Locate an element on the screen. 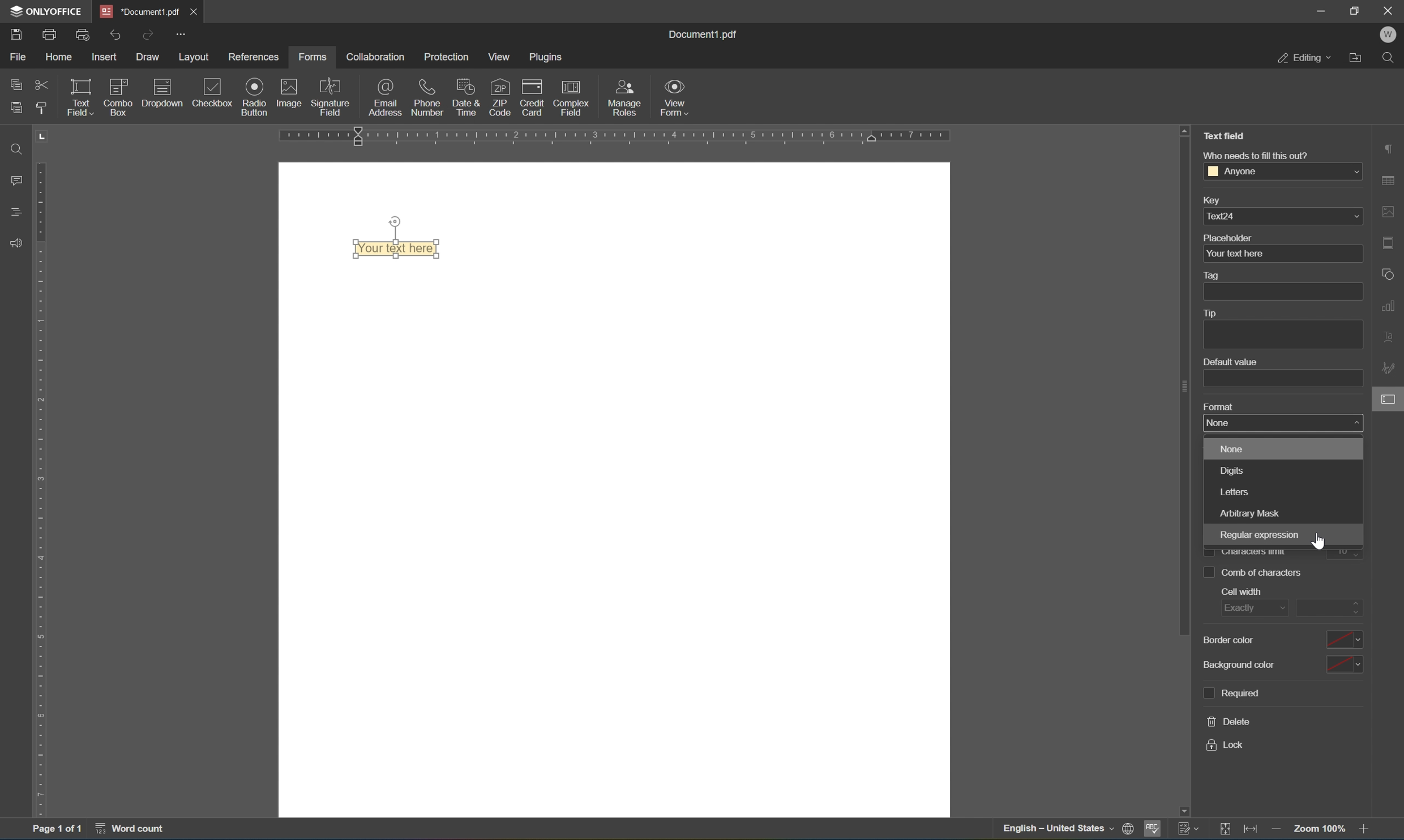 The height and width of the screenshot is (840, 1404). track changes is located at coordinates (1189, 828).